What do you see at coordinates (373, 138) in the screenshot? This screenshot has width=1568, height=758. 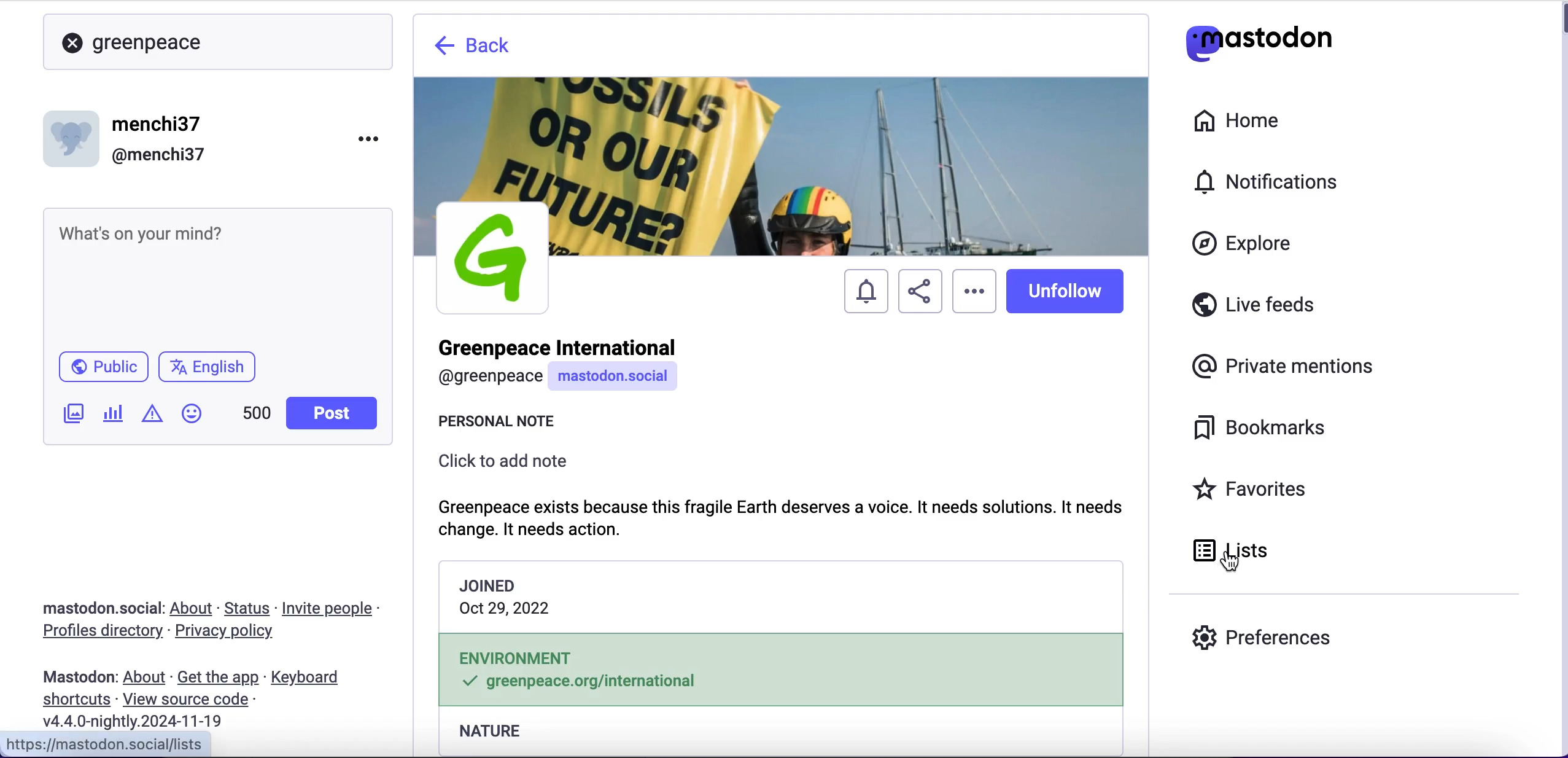 I see `menu options` at bounding box center [373, 138].